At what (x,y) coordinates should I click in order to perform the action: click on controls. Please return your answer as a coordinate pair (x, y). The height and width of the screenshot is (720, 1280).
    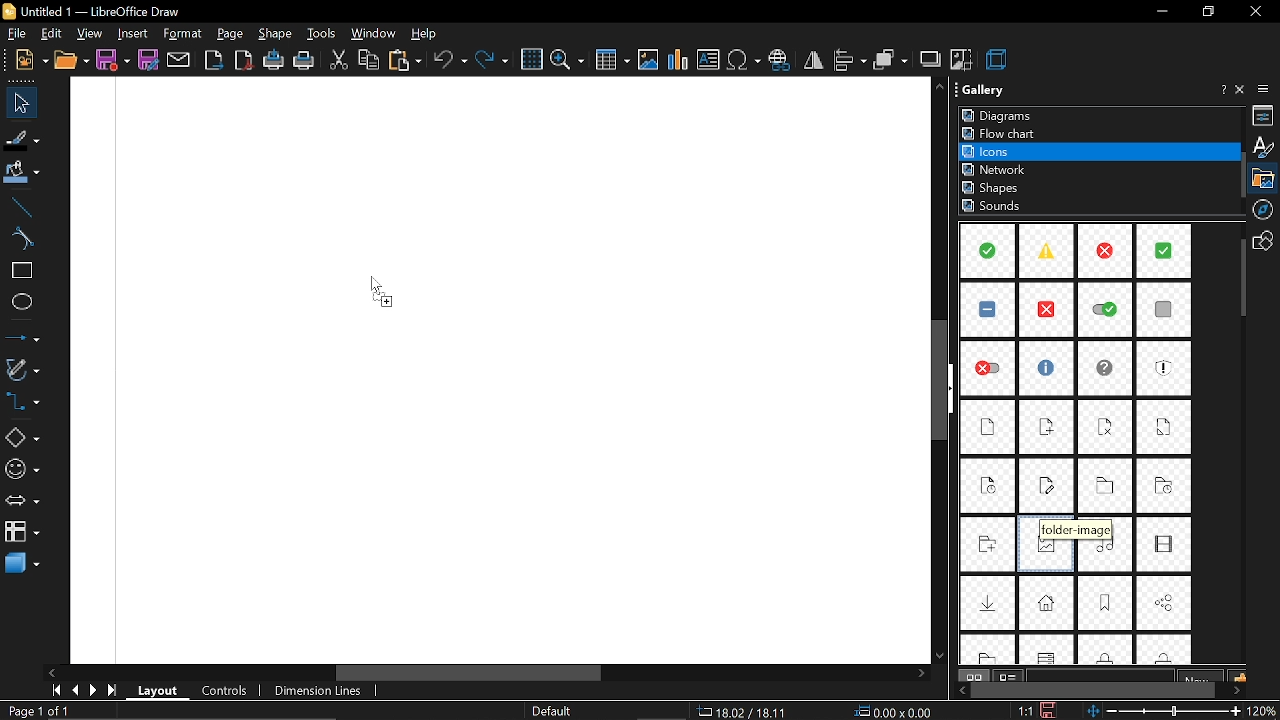
    Looking at the image, I should click on (222, 692).